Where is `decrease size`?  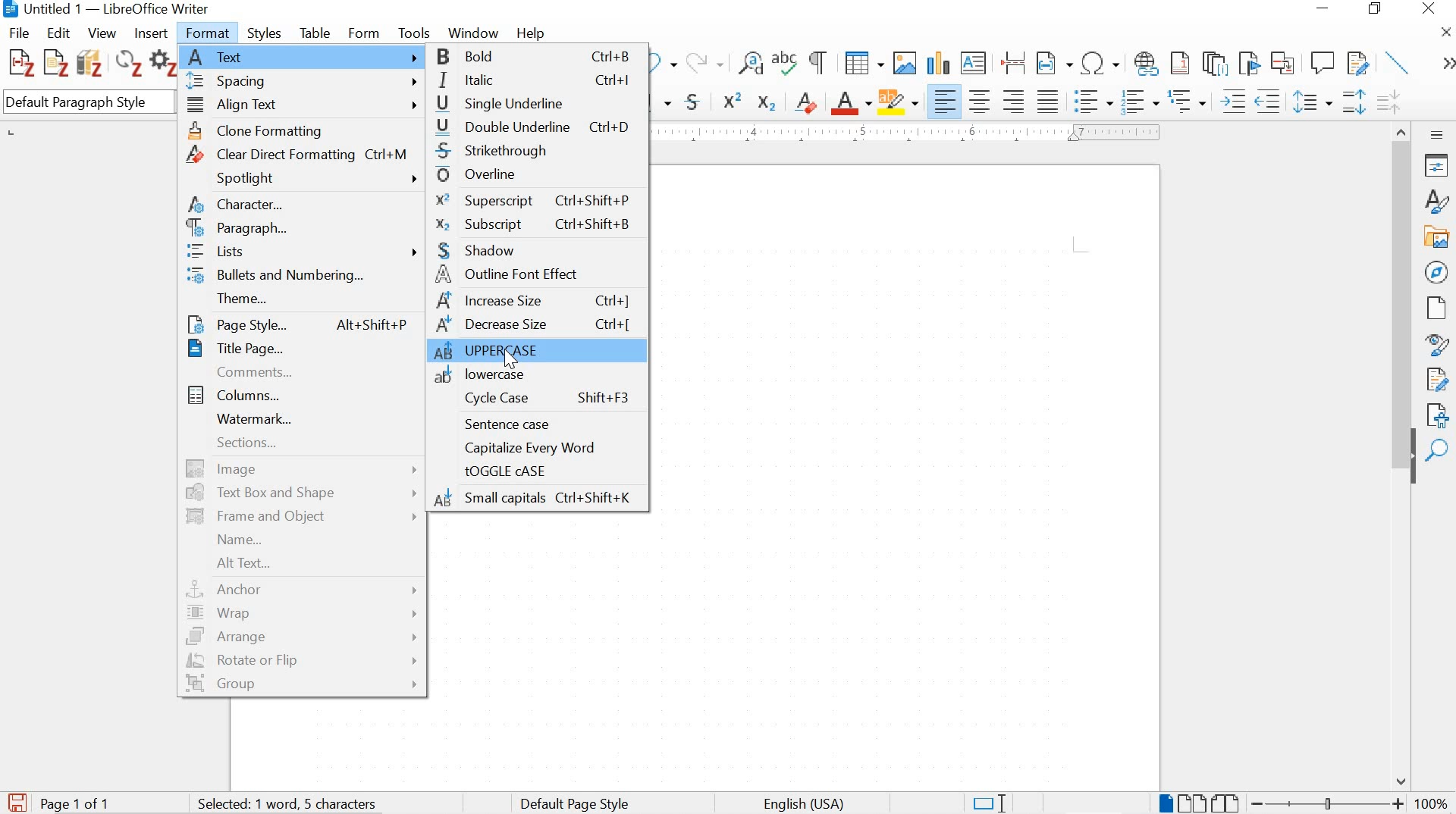
decrease size is located at coordinates (535, 327).